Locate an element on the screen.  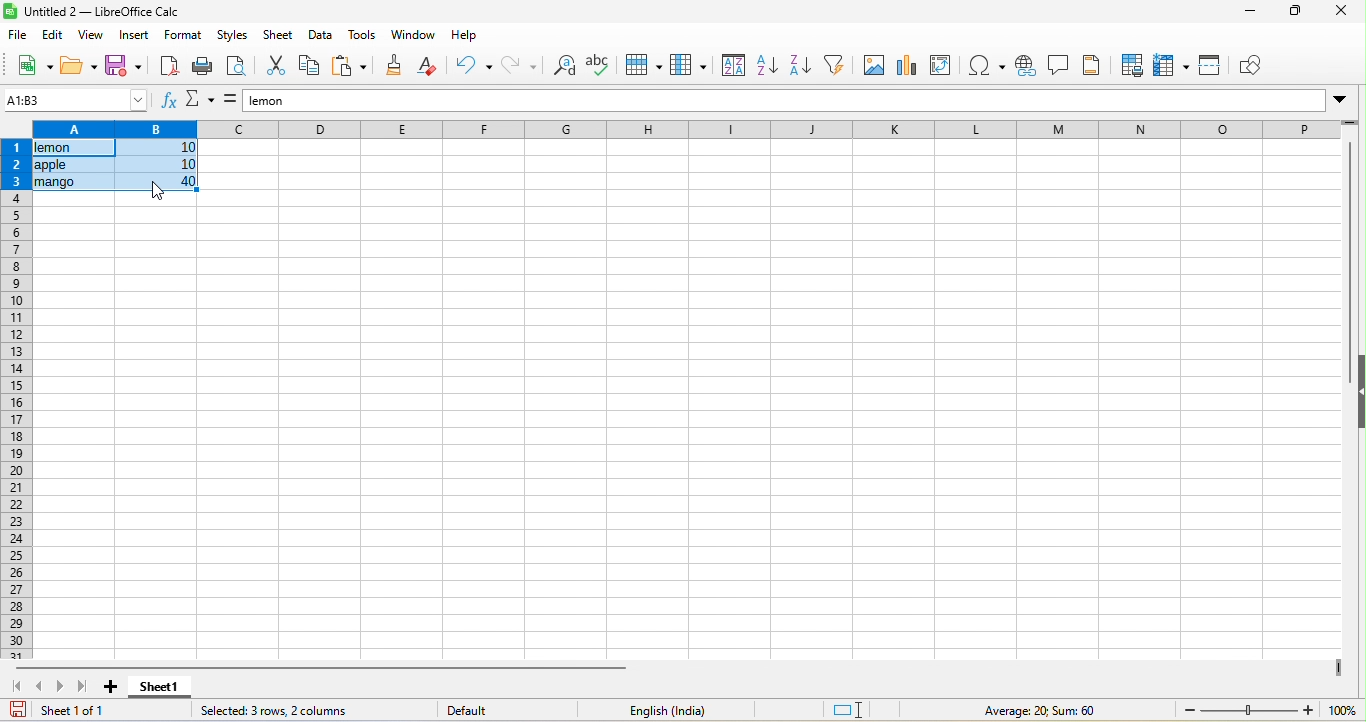
edit is located at coordinates (52, 37).